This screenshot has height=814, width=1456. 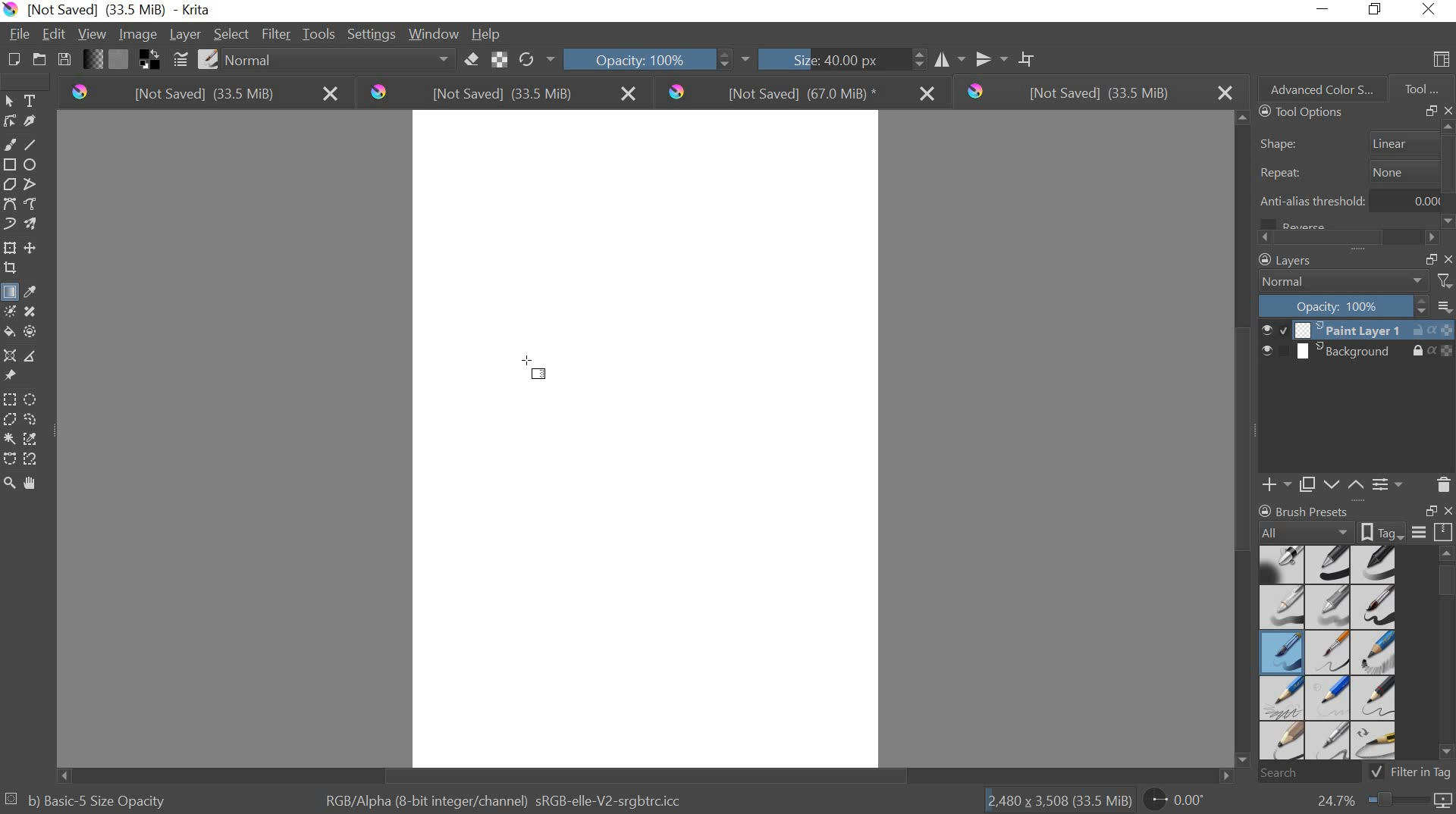 What do you see at coordinates (1324, 7) in the screenshot?
I see `MINIMIZE` at bounding box center [1324, 7].